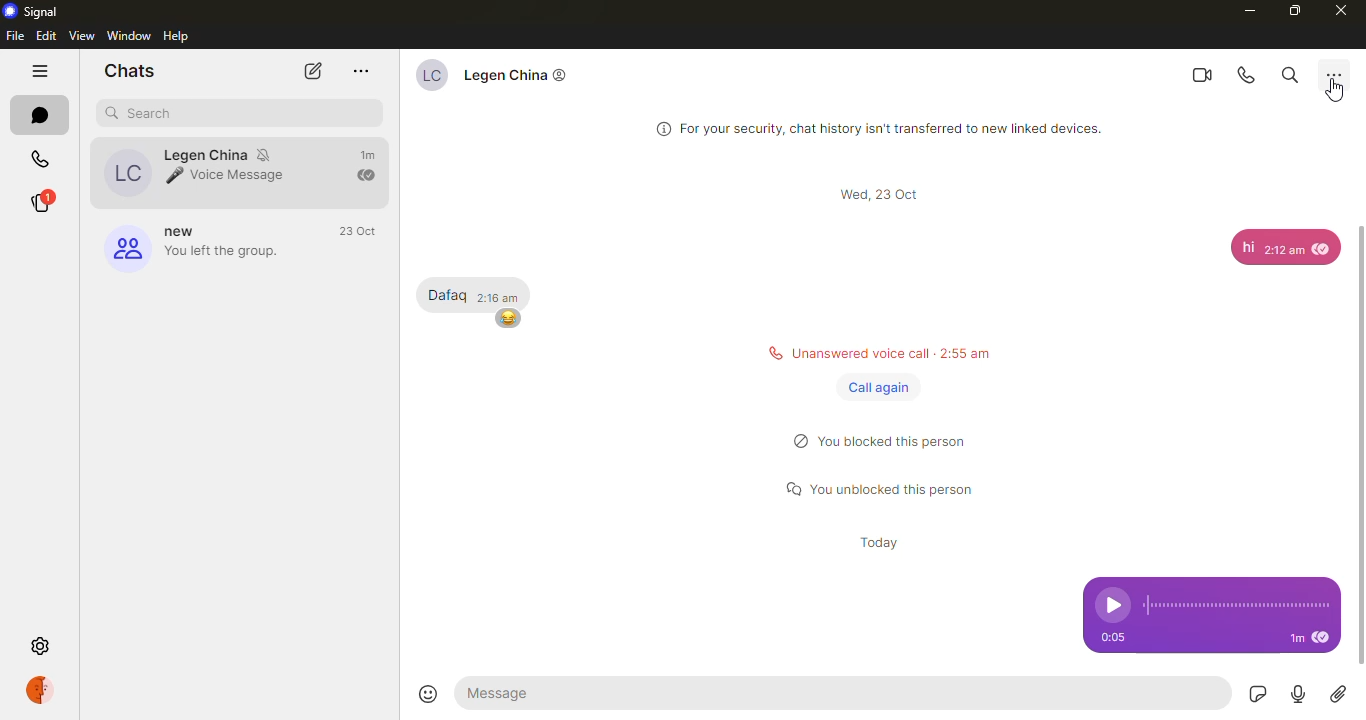 The width and height of the screenshot is (1366, 720). What do you see at coordinates (1296, 639) in the screenshot?
I see `time` at bounding box center [1296, 639].